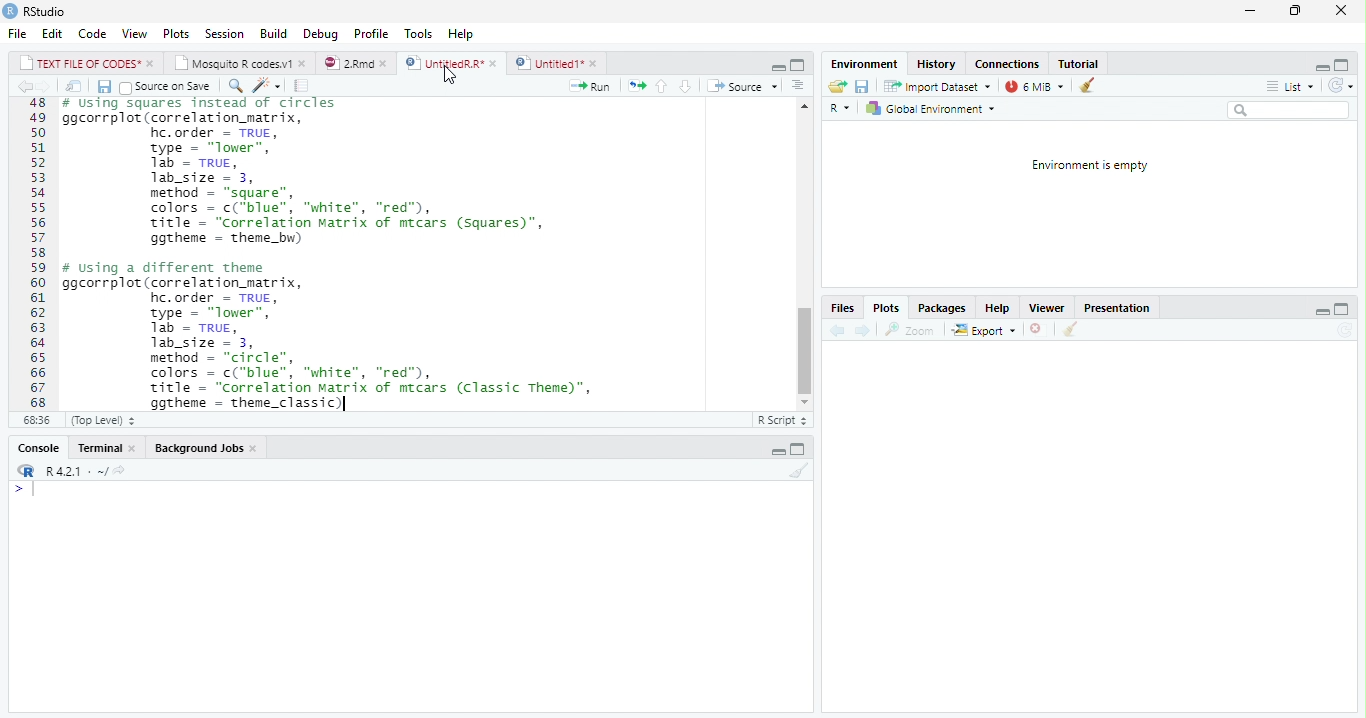 The image size is (1366, 718). What do you see at coordinates (275, 33) in the screenshot?
I see `Build` at bounding box center [275, 33].